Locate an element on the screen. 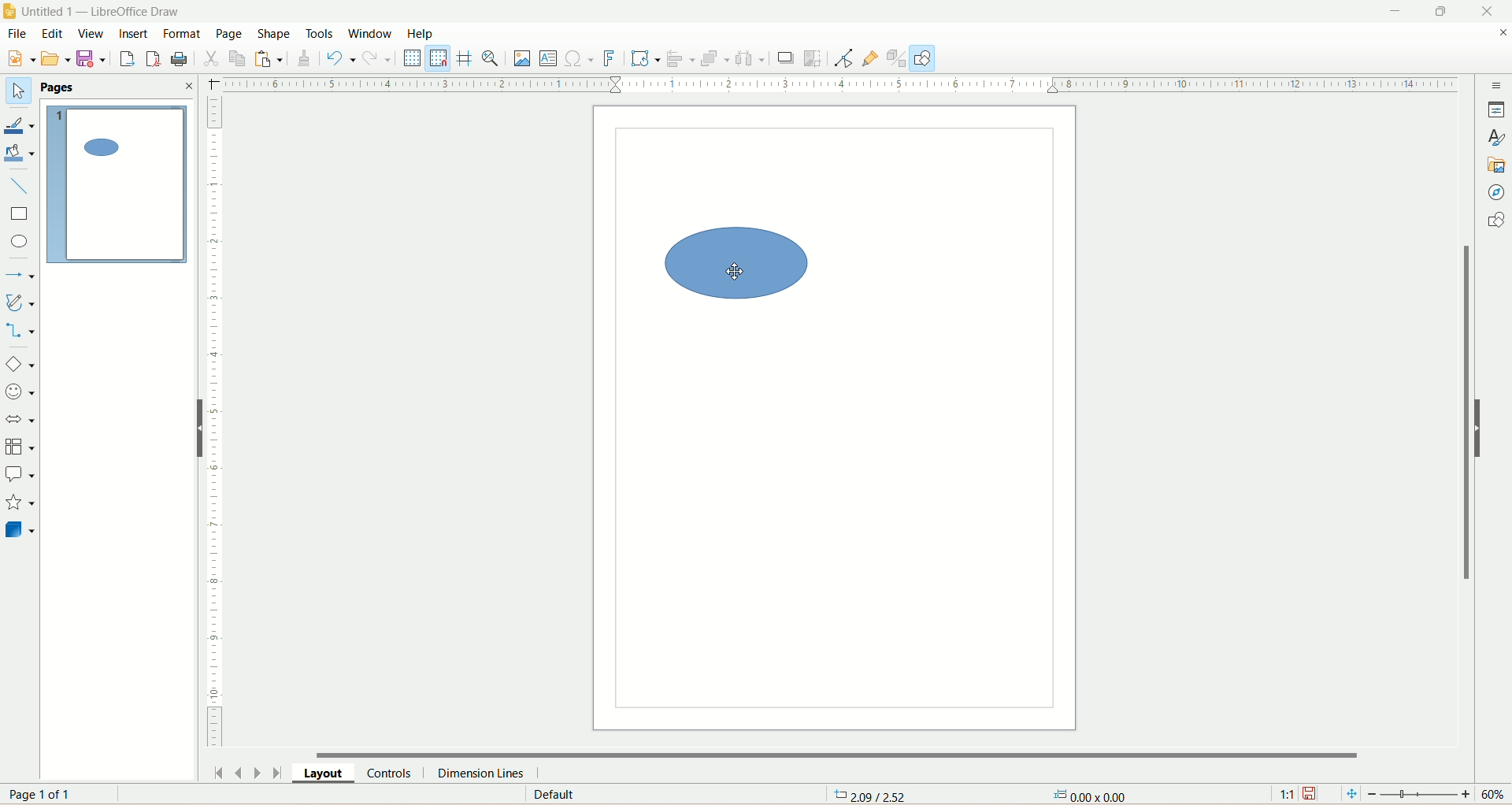 This screenshot has width=1512, height=805. save is located at coordinates (91, 60).